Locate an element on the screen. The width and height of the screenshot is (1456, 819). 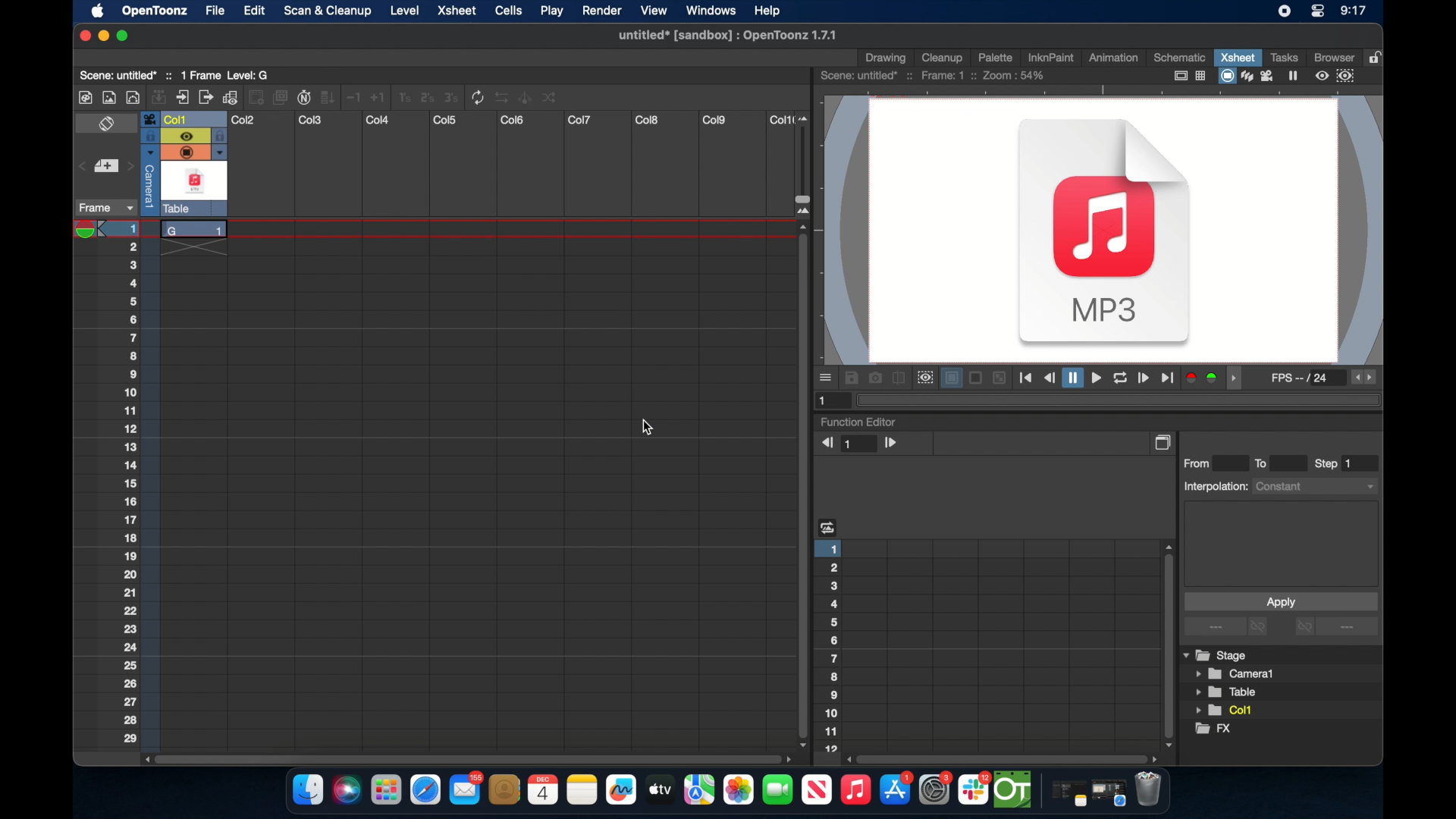
inknpaint is located at coordinates (1050, 57).